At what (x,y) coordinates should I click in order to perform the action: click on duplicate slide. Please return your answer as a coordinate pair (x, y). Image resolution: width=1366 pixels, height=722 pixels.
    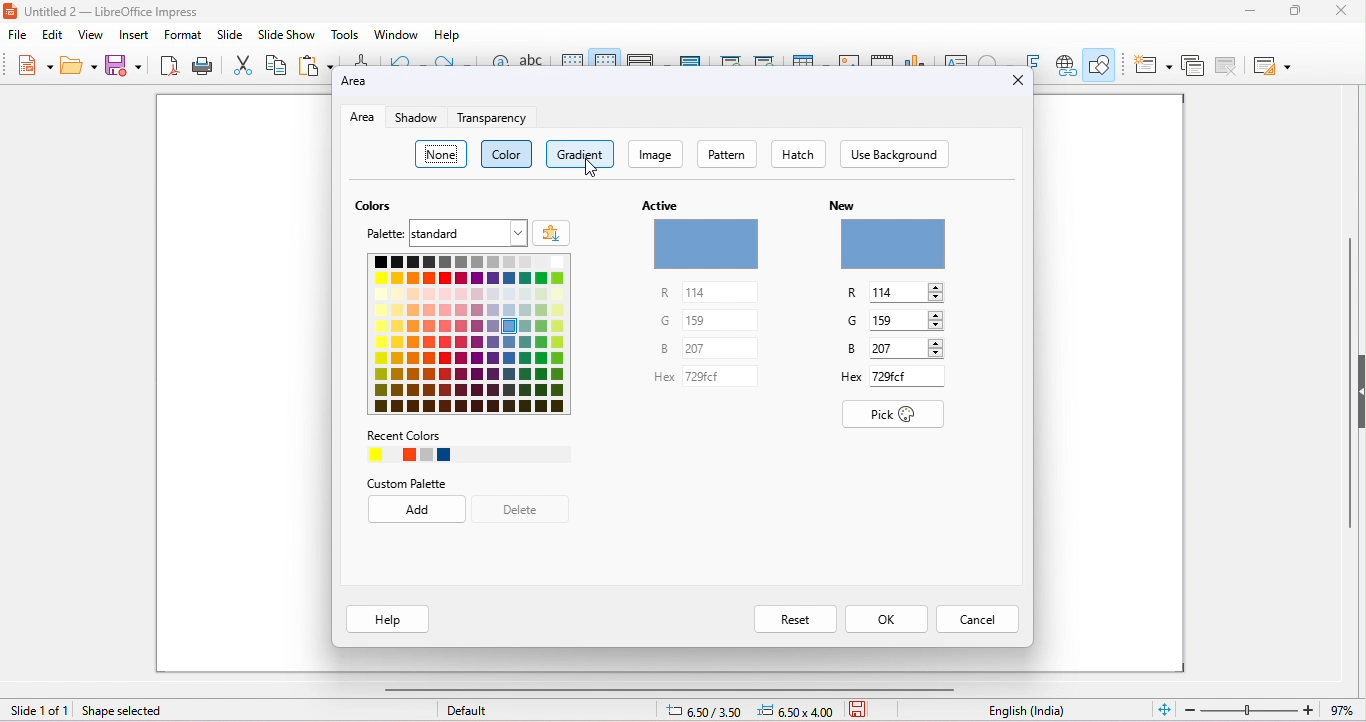
    Looking at the image, I should click on (1193, 68).